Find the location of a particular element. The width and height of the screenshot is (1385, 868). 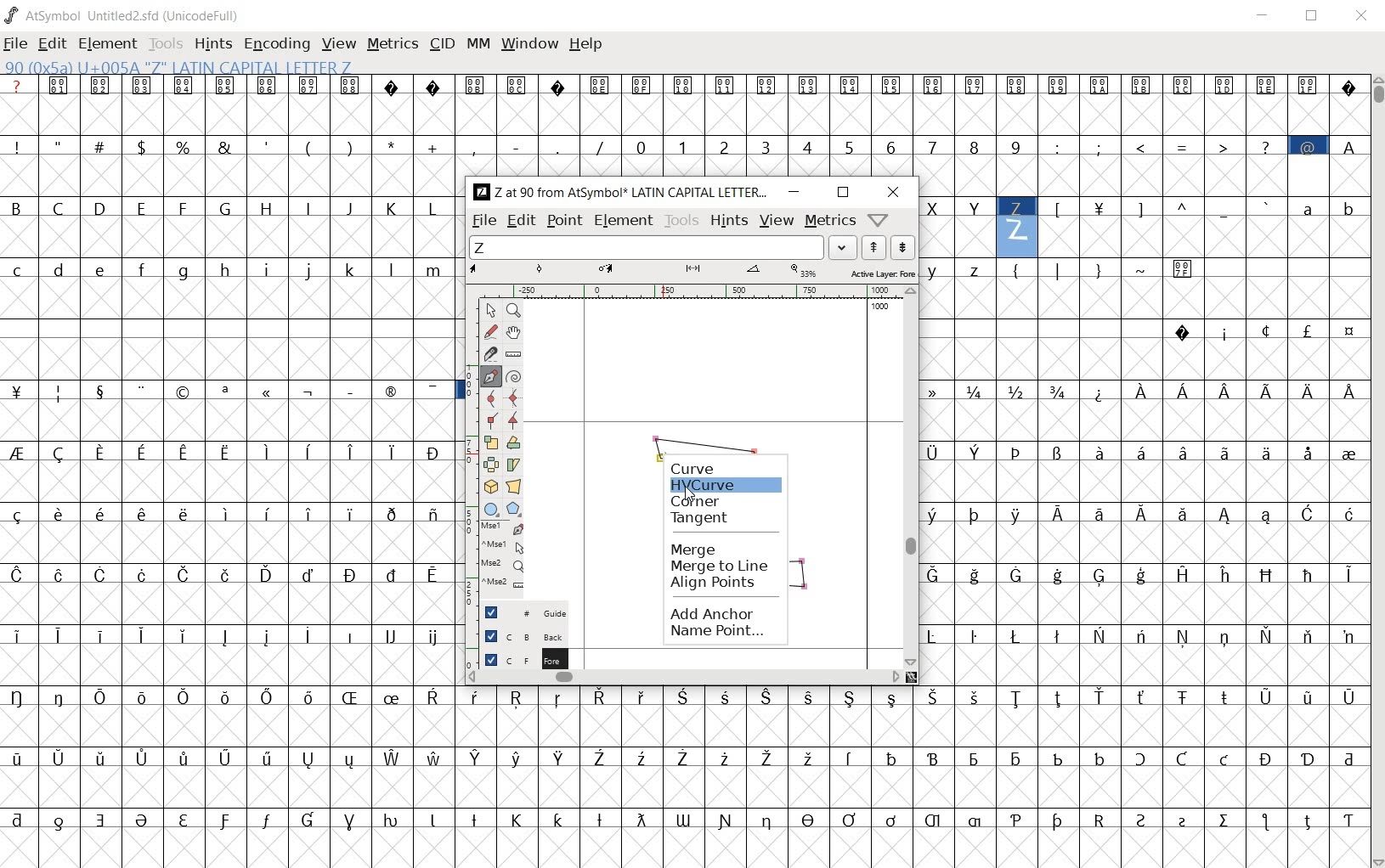

measure a distance, angle between points is located at coordinates (512, 353).